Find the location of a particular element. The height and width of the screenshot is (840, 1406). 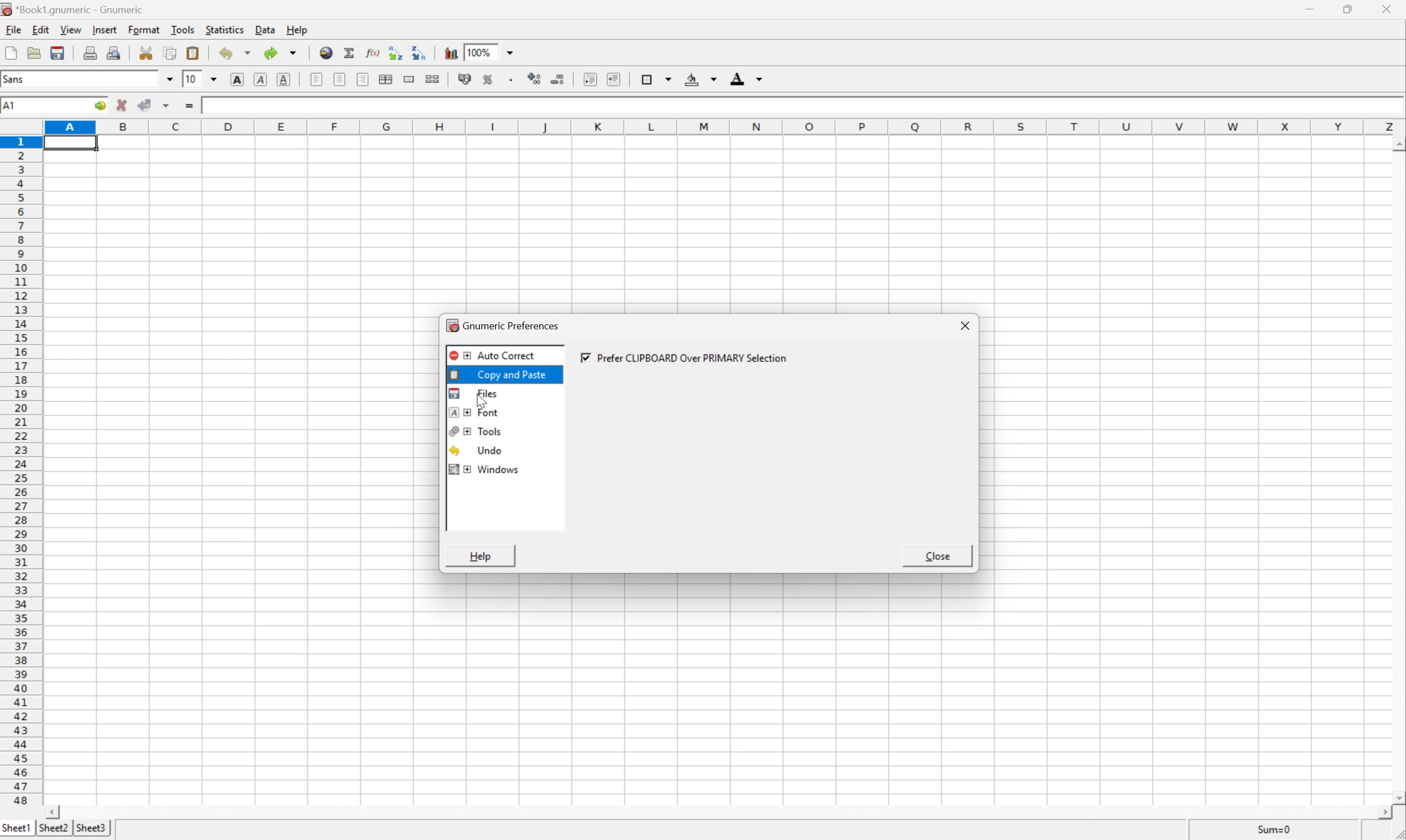

Font size 10 is located at coordinates (202, 80).